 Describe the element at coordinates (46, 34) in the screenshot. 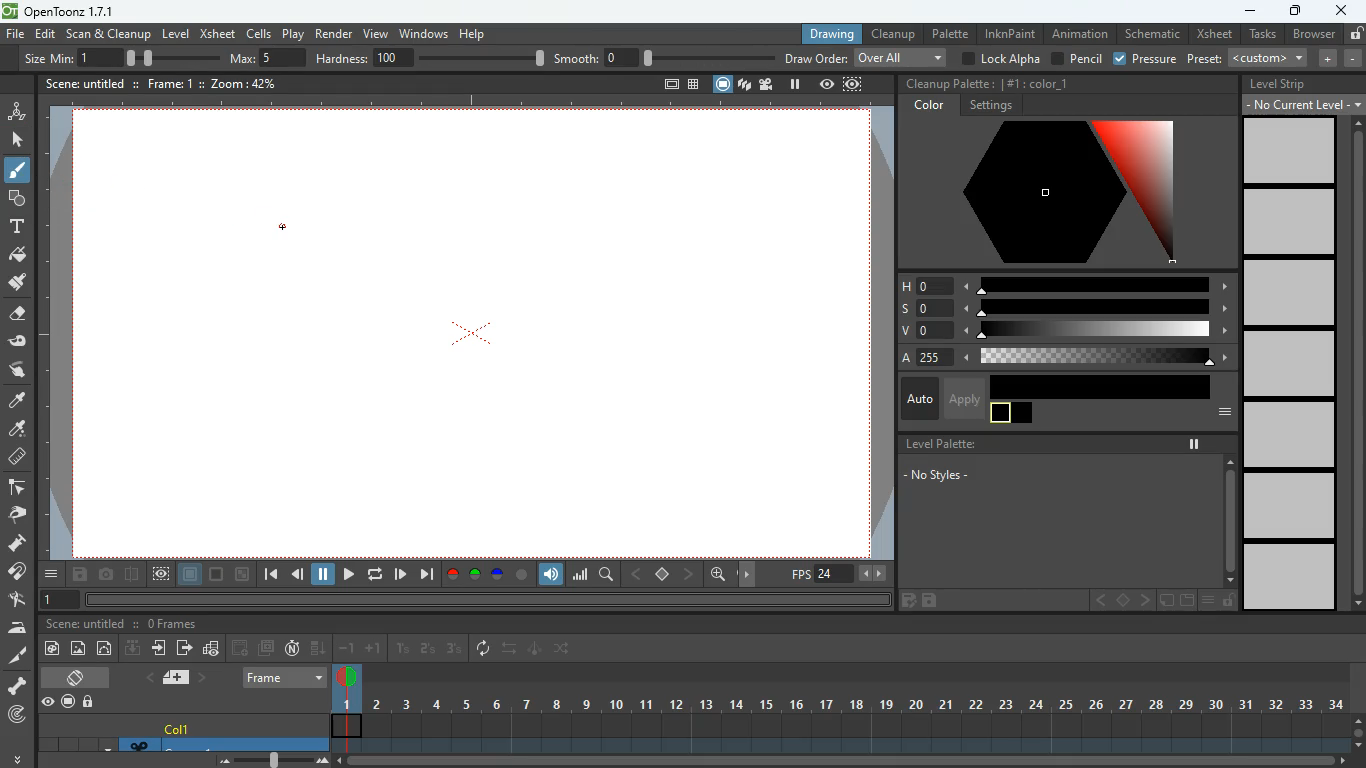

I see `edit` at that location.